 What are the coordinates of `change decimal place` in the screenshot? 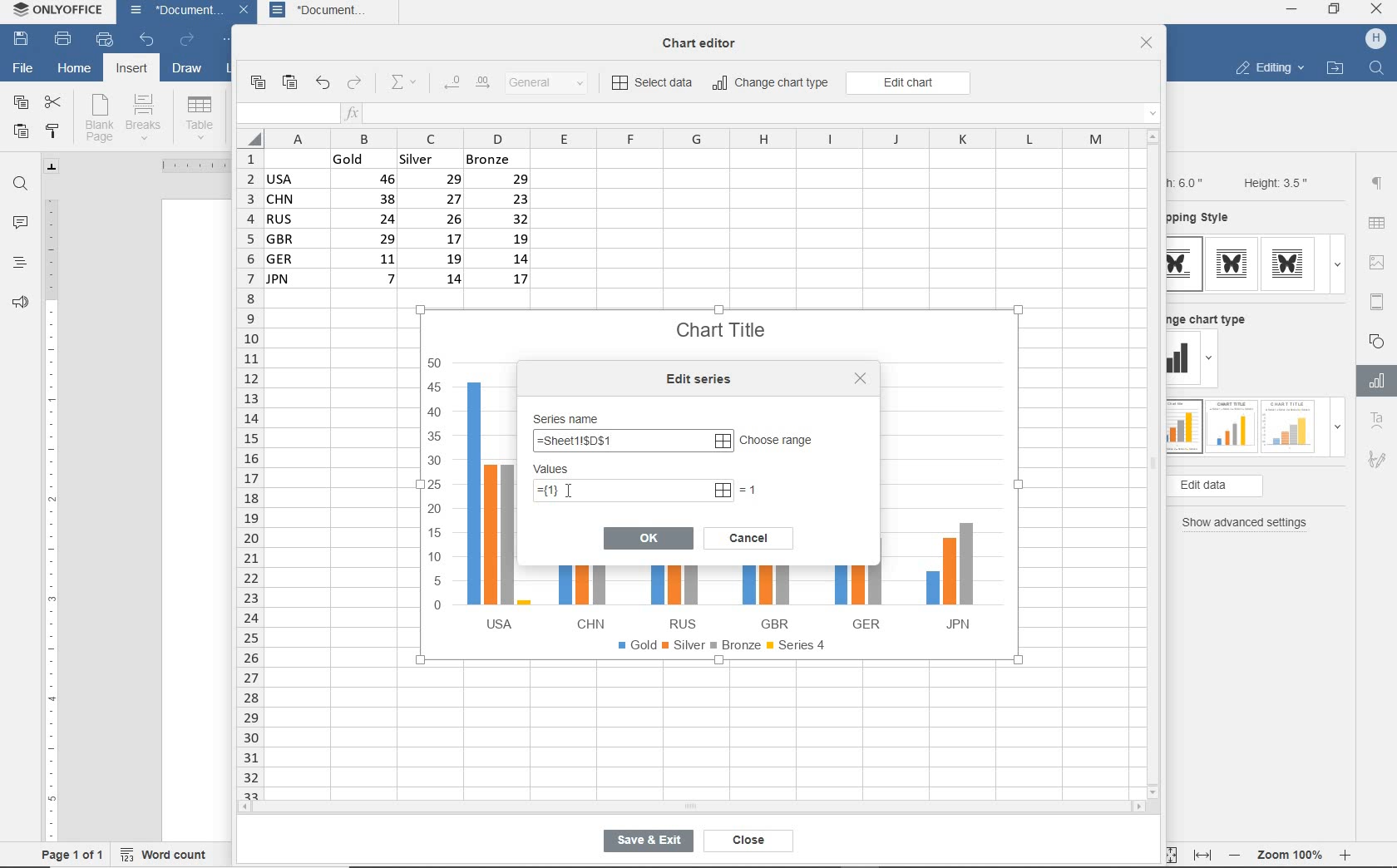 It's located at (466, 83).